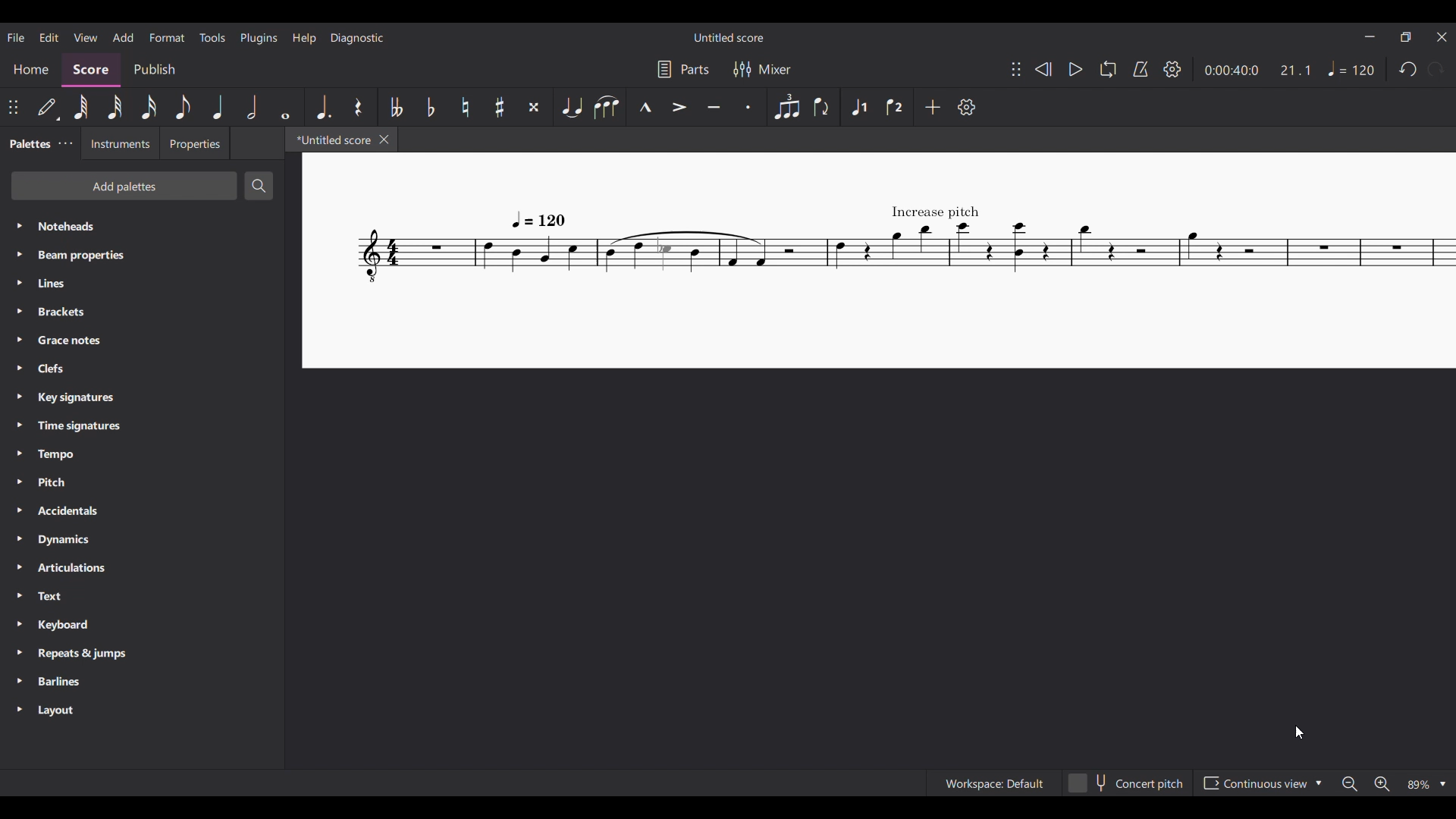  I want to click on Time signatures, so click(142, 426).